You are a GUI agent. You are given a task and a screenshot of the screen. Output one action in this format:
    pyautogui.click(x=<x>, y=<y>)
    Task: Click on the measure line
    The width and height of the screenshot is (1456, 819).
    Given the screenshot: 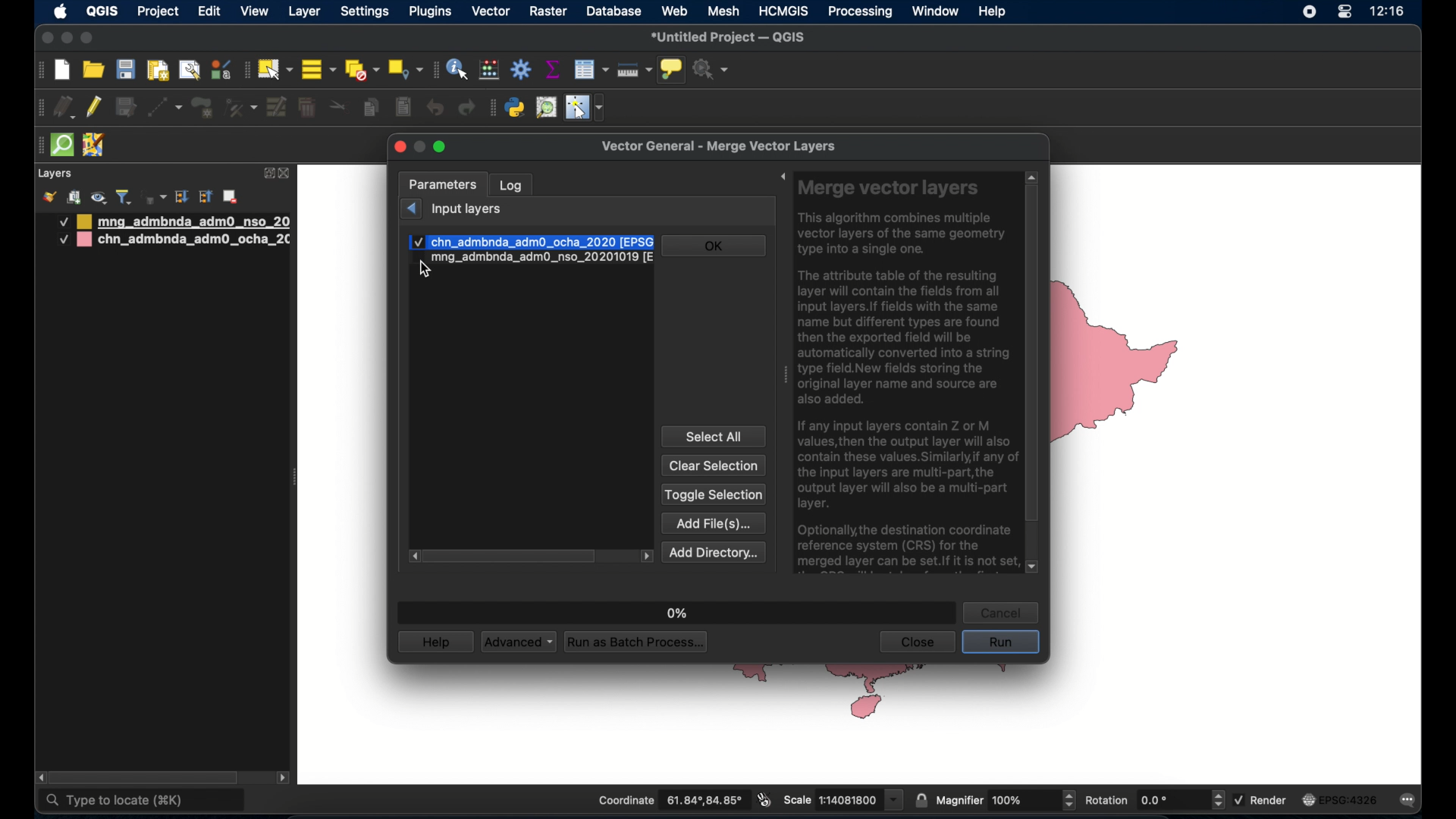 What is the action you would take?
    pyautogui.click(x=634, y=71)
    